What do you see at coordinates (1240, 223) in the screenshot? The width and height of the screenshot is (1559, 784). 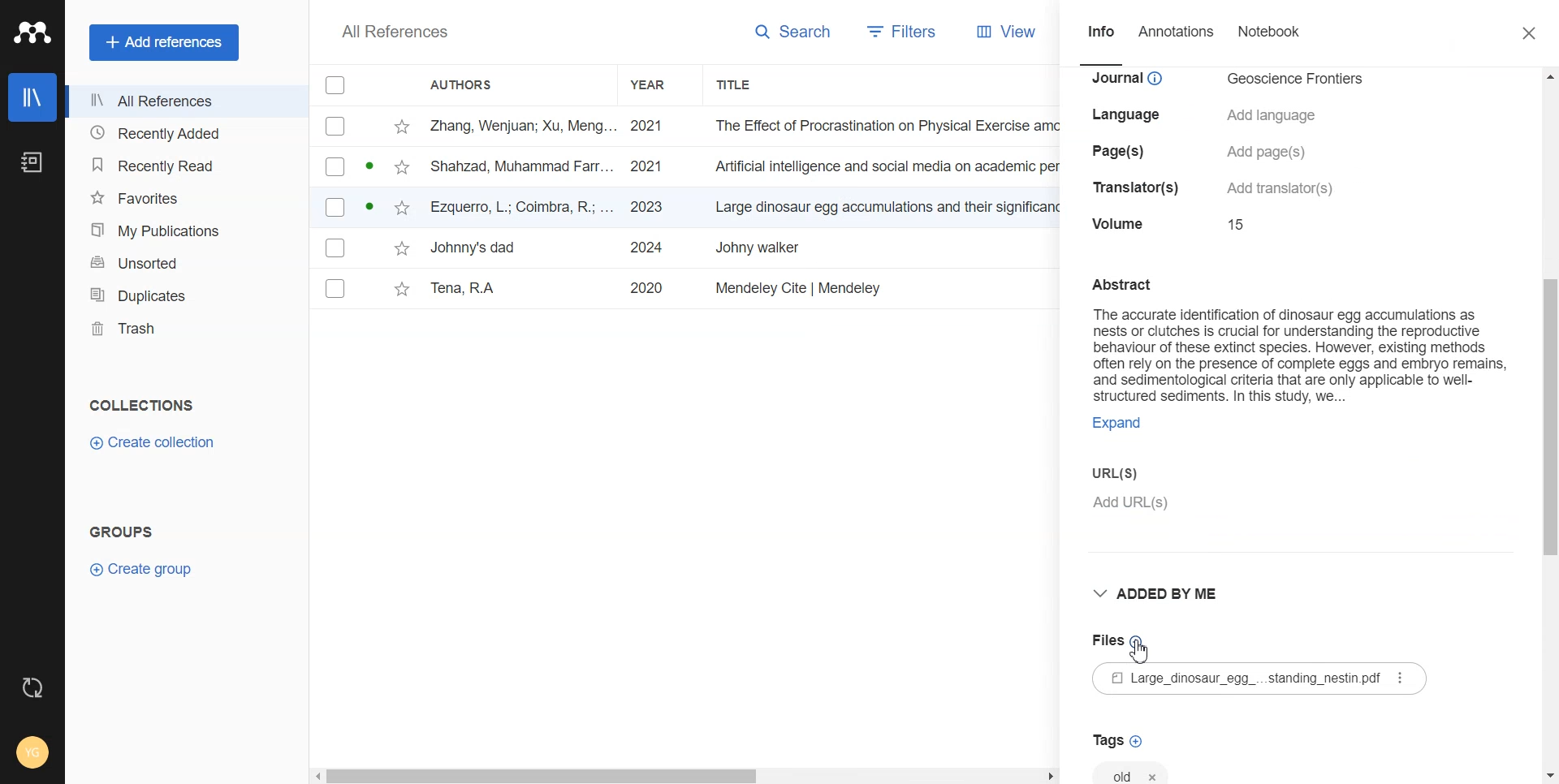 I see `details` at bounding box center [1240, 223].